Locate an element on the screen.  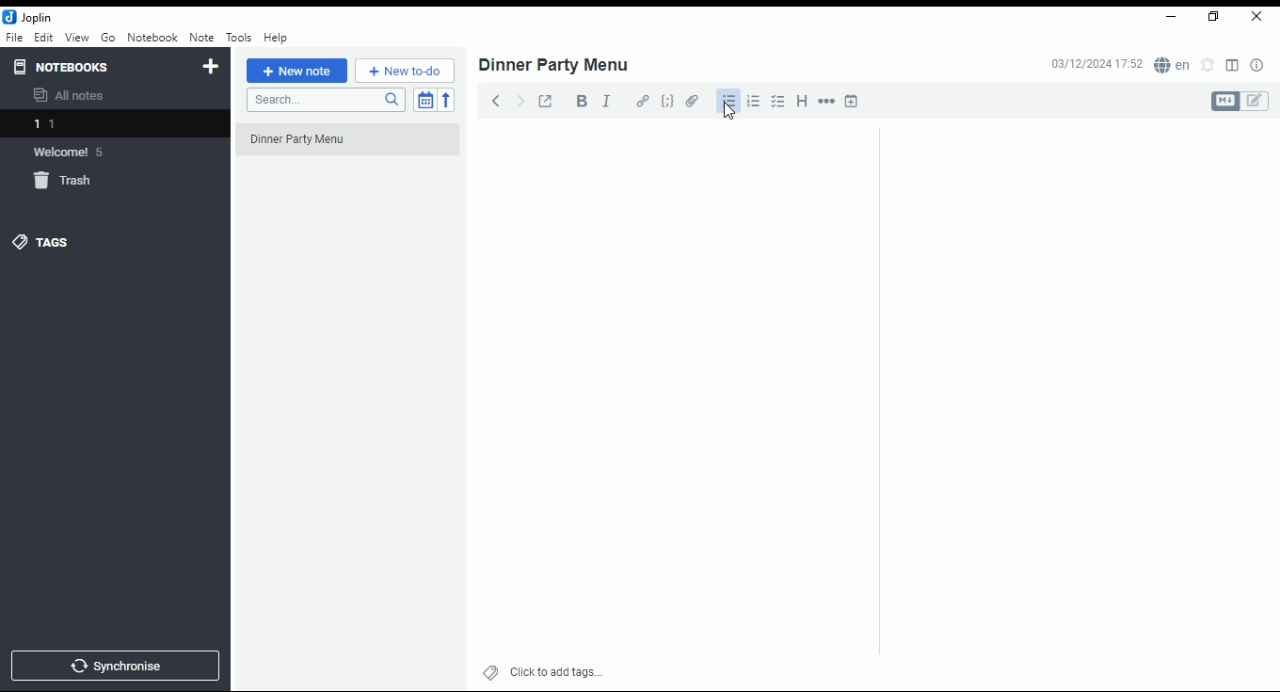
dinner party menu is located at coordinates (353, 146).